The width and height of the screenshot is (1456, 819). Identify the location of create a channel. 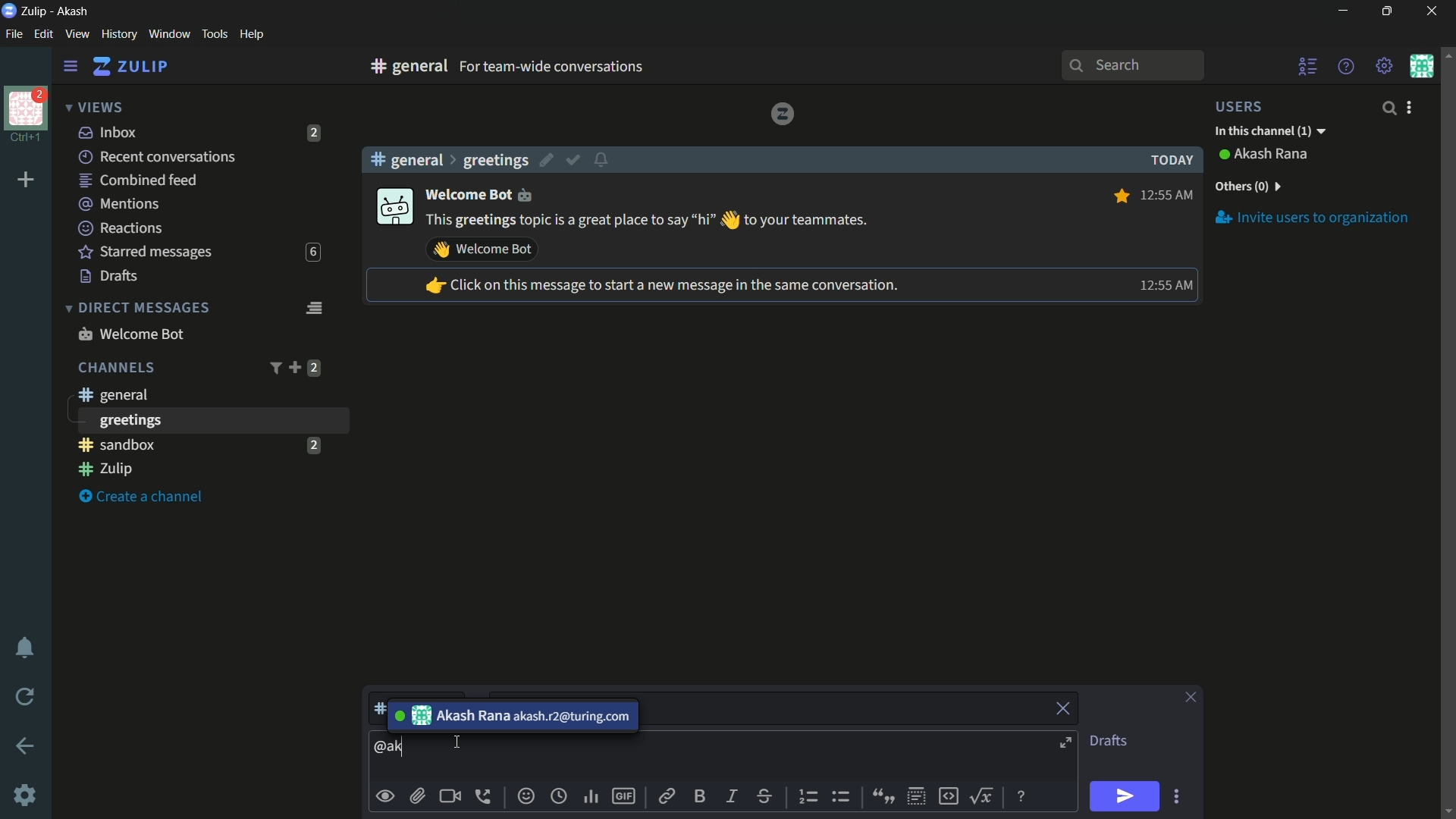
(145, 497).